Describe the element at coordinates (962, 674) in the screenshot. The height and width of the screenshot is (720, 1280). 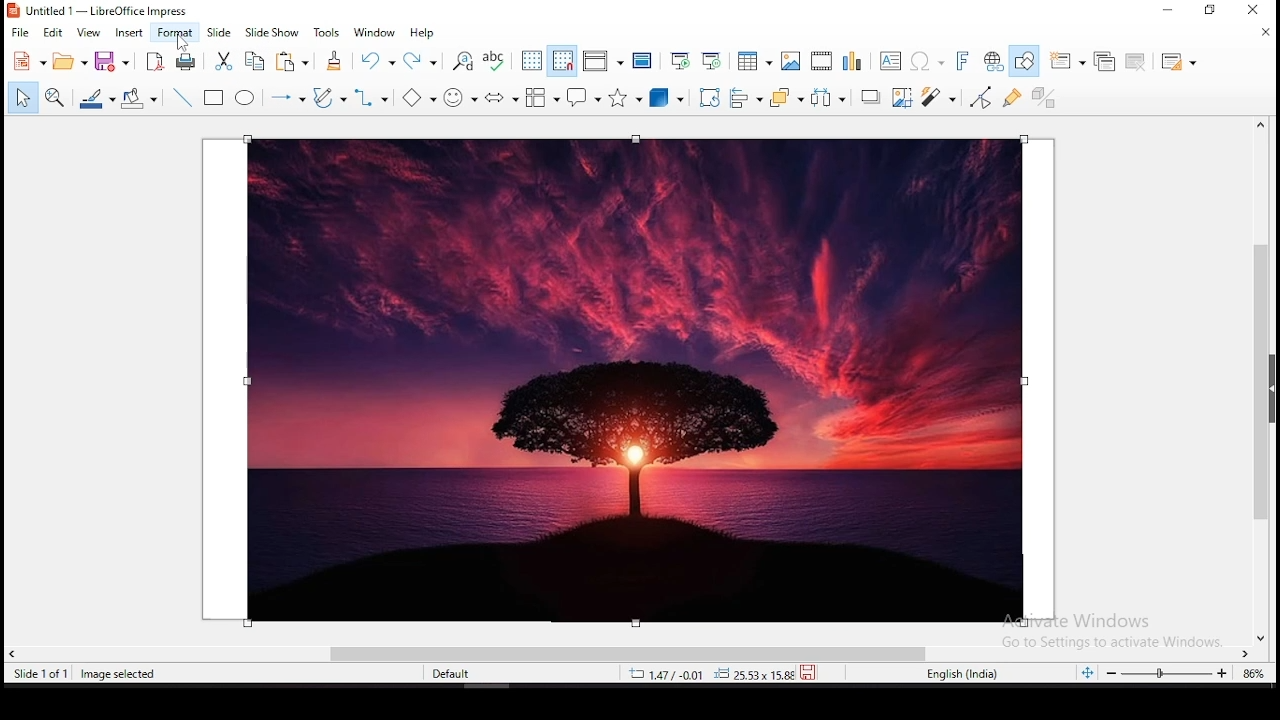
I see `english (india)` at that location.